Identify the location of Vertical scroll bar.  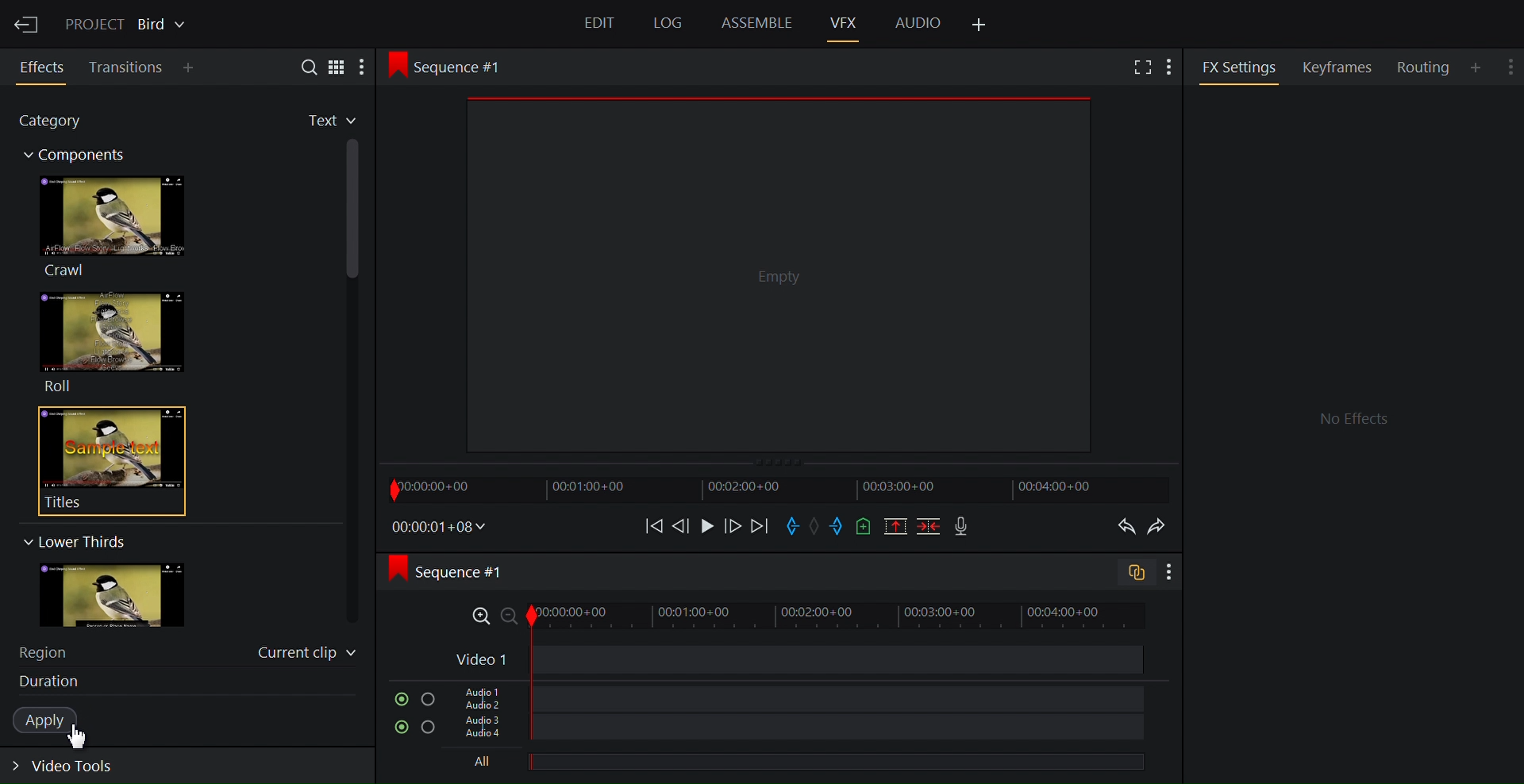
(354, 290).